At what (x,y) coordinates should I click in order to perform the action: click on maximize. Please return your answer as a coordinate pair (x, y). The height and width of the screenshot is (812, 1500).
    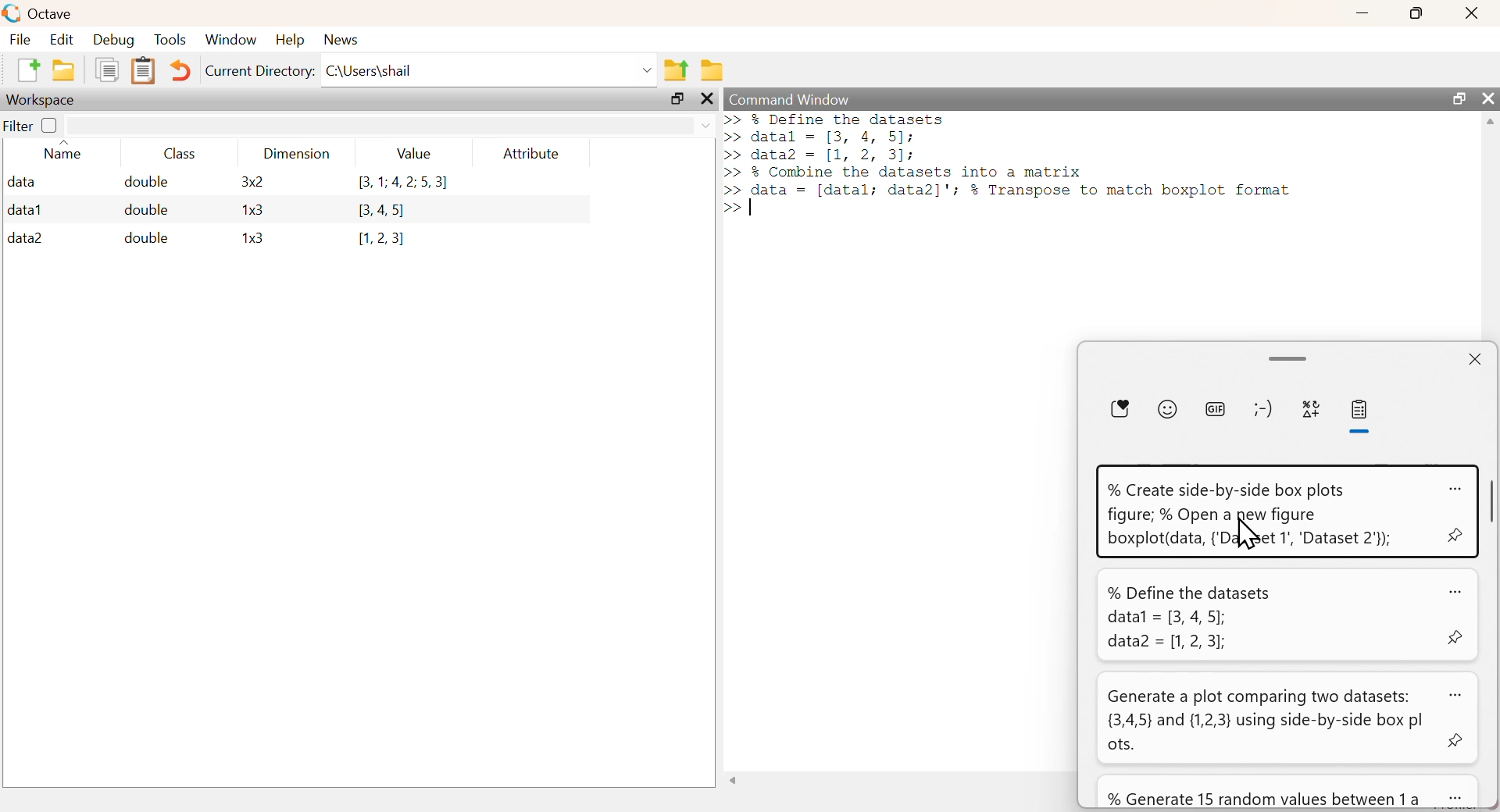
    Looking at the image, I should click on (678, 101).